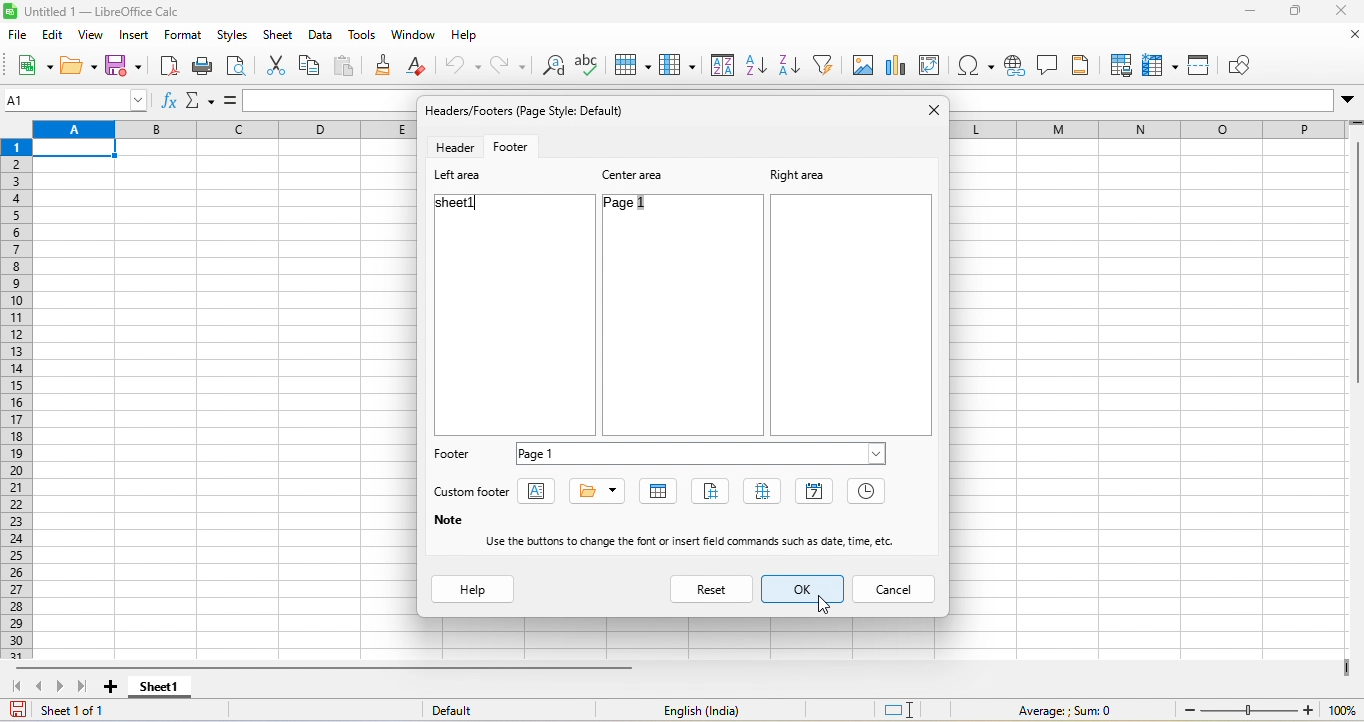  Describe the element at coordinates (1158, 63) in the screenshot. I see `freeze row and column` at that location.